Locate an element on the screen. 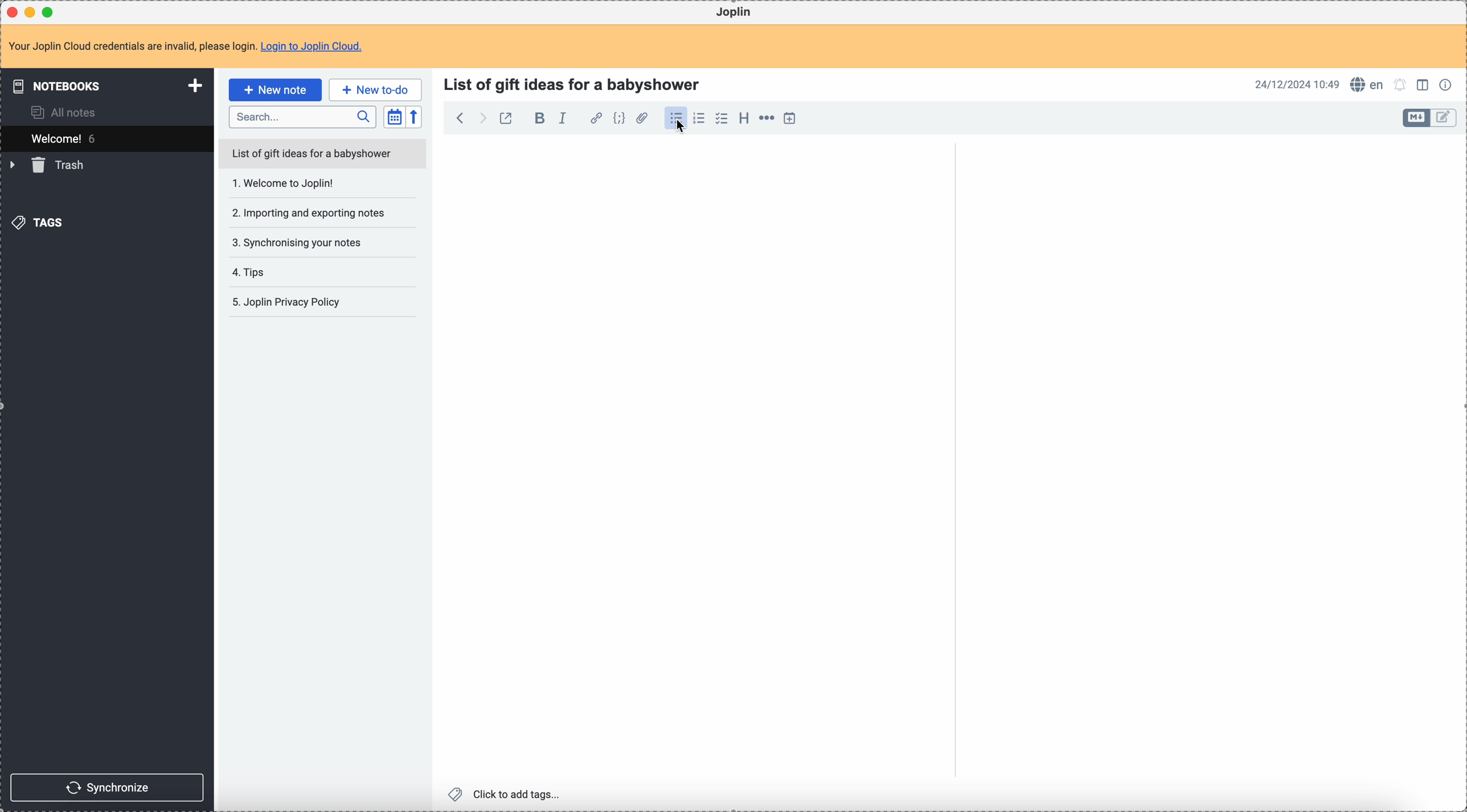  click on new note is located at coordinates (274, 90).